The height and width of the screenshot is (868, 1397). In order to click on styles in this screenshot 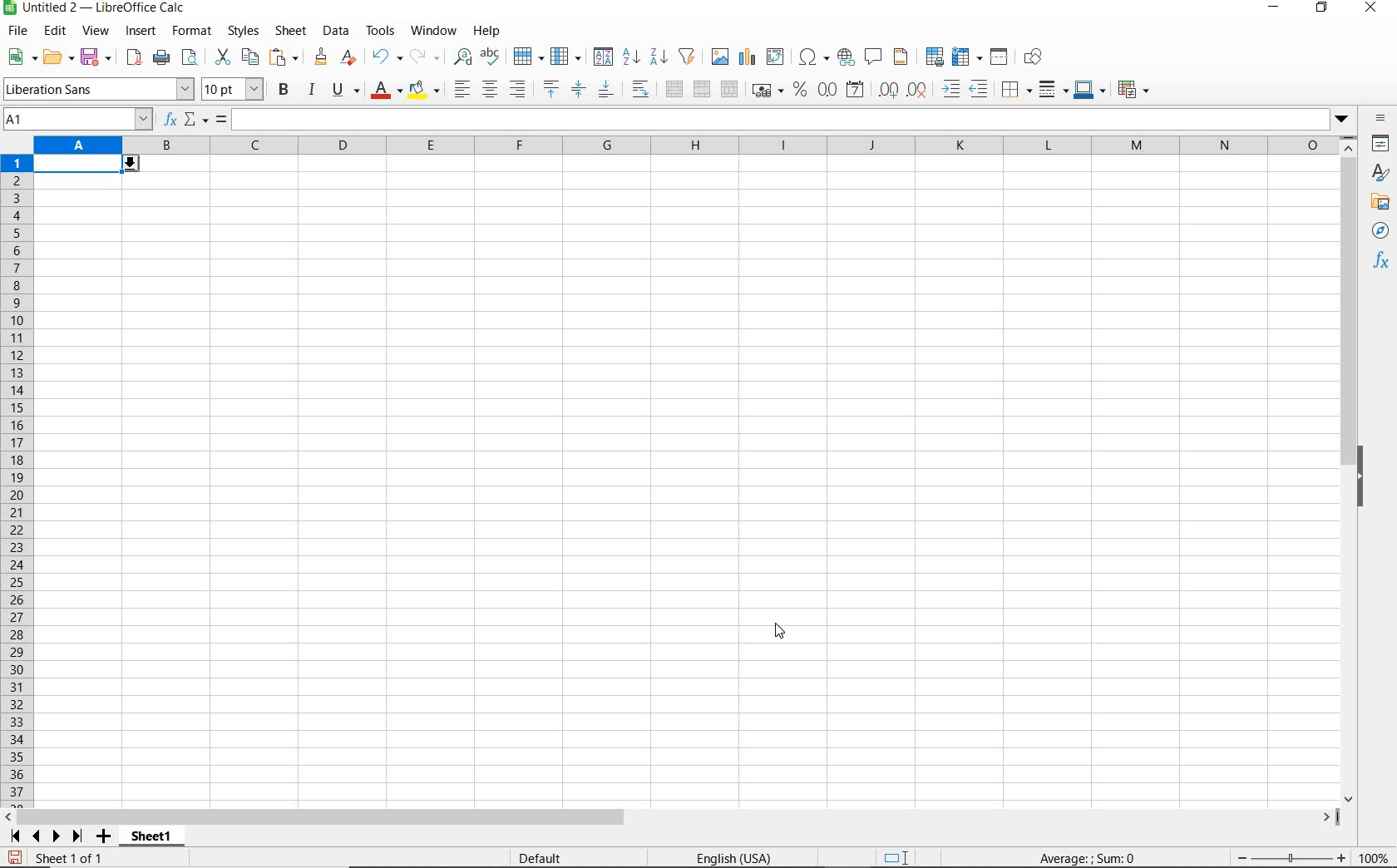, I will do `click(242, 32)`.